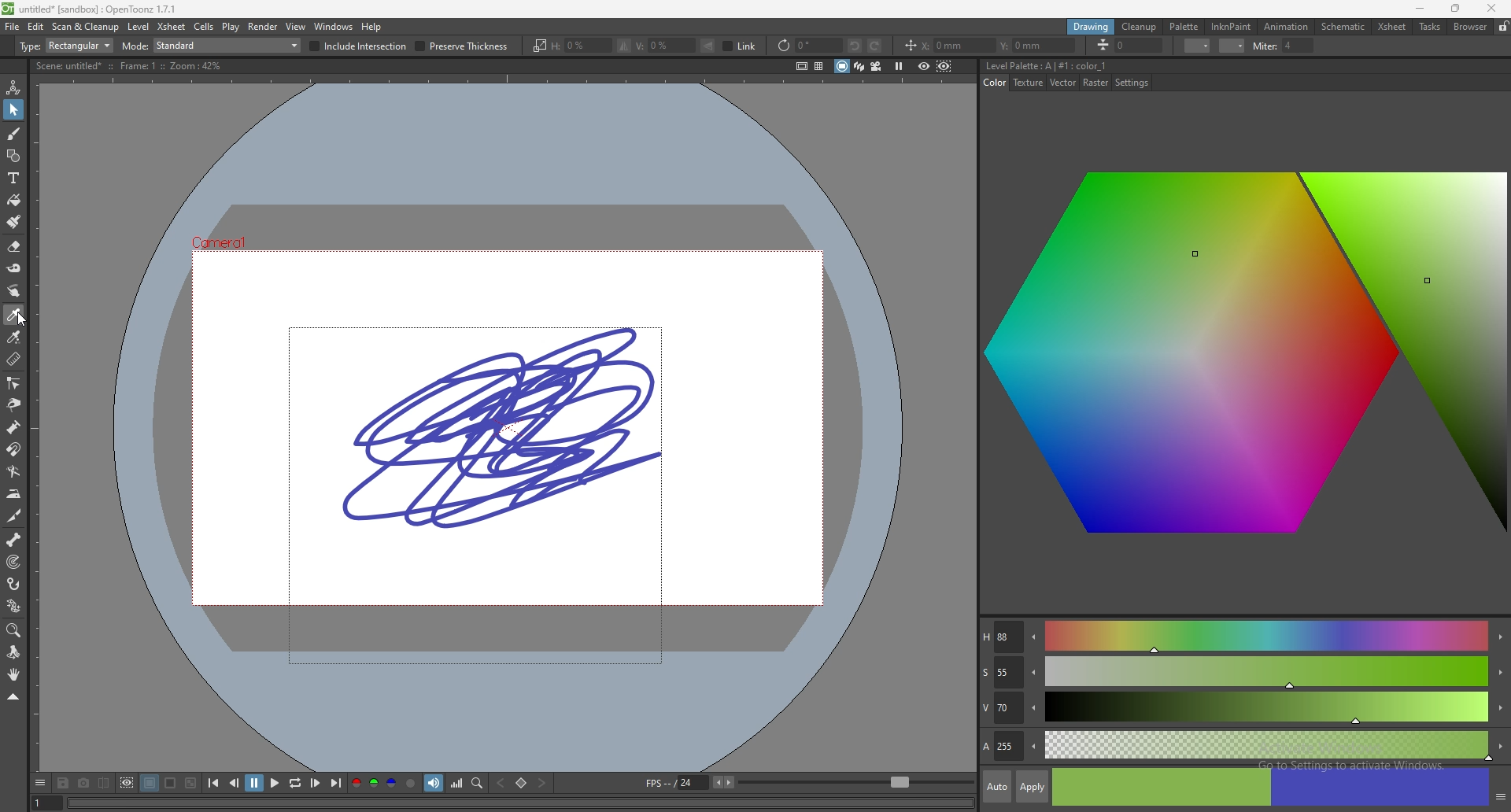 Image resolution: width=1511 pixels, height=812 pixels. I want to click on hue, so click(1243, 637).